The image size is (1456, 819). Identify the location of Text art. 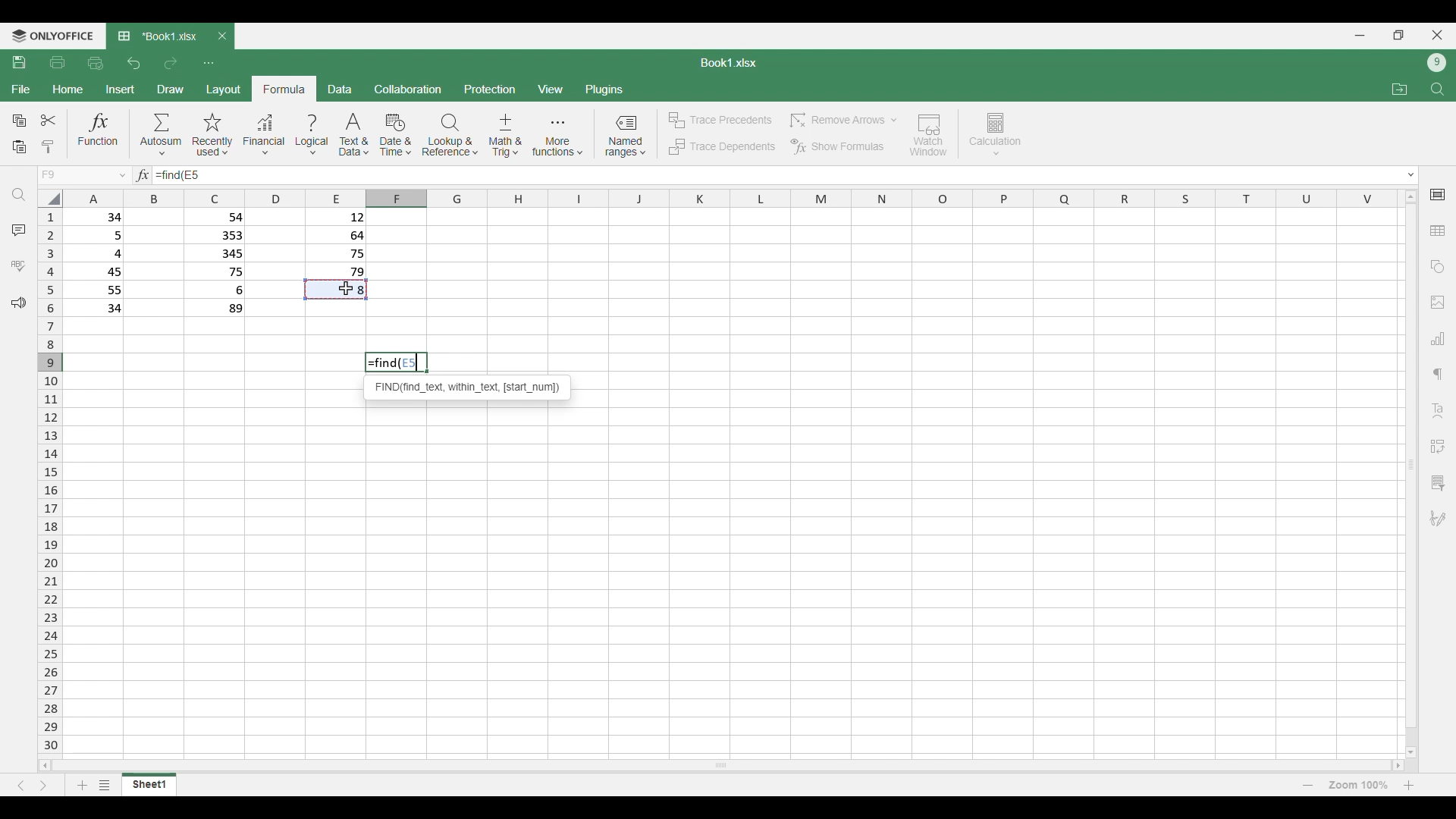
(1437, 411).